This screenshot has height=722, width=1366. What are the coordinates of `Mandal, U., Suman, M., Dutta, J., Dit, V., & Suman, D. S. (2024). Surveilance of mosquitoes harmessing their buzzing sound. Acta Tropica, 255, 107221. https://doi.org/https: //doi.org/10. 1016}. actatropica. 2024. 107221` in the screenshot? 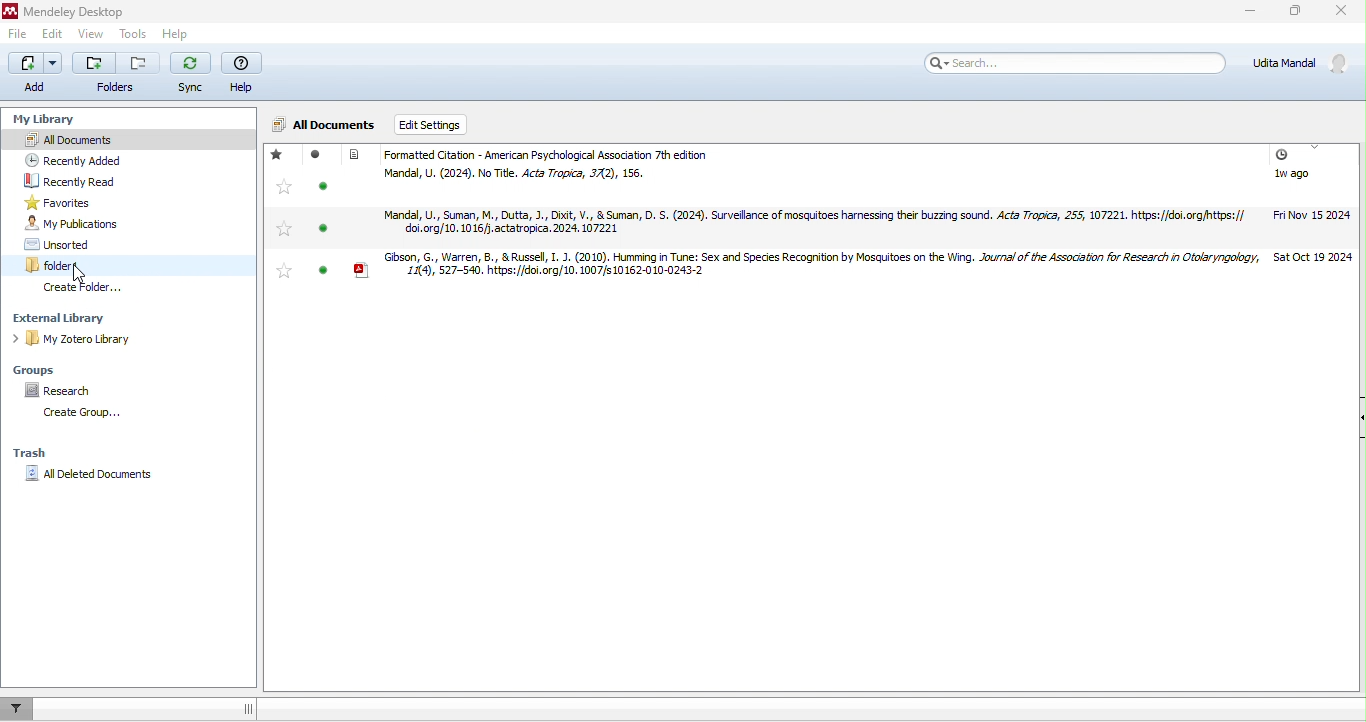 It's located at (814, 221).